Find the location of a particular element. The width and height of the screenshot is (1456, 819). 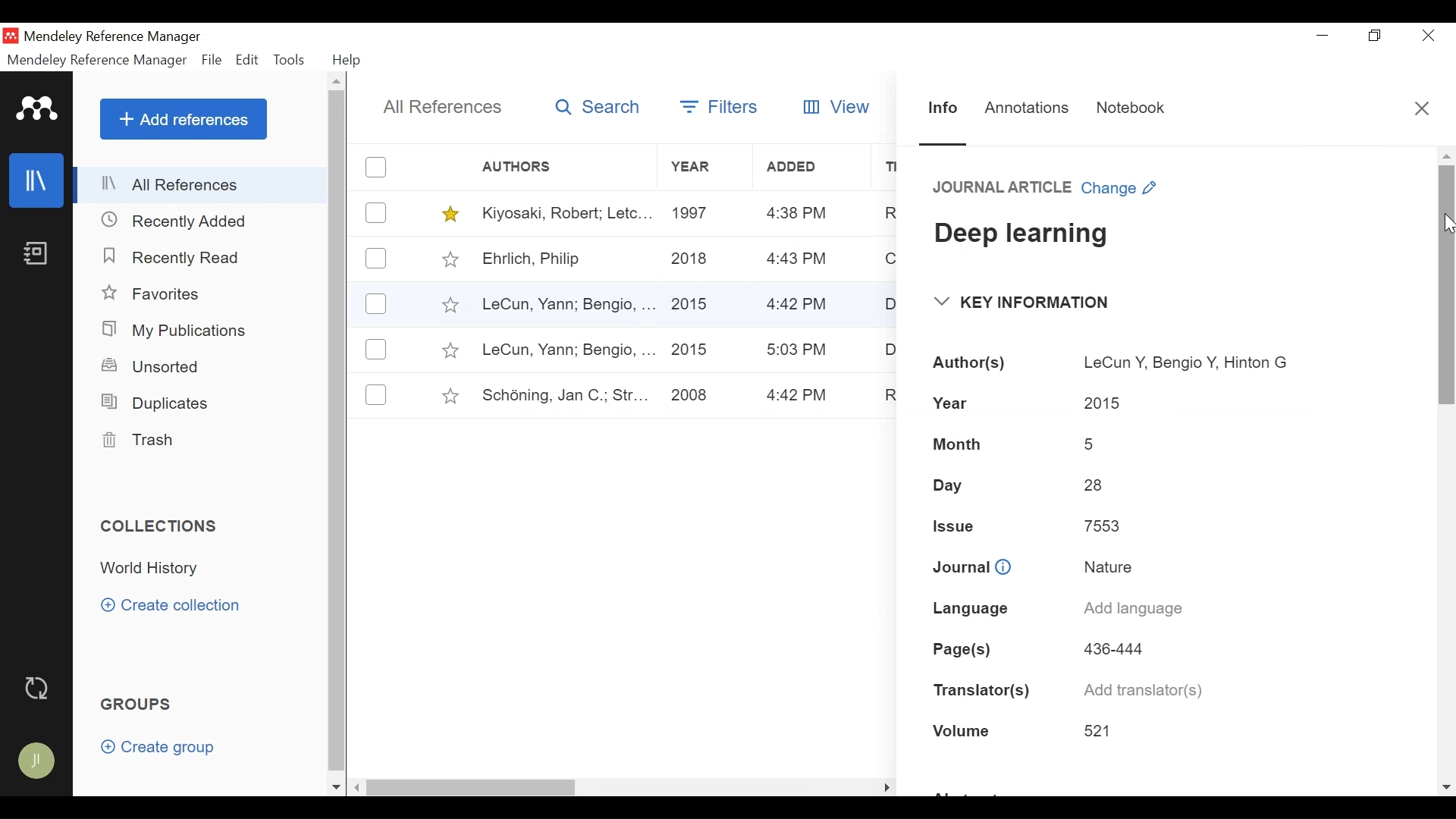

Change is located at coordinates (1122, 190).